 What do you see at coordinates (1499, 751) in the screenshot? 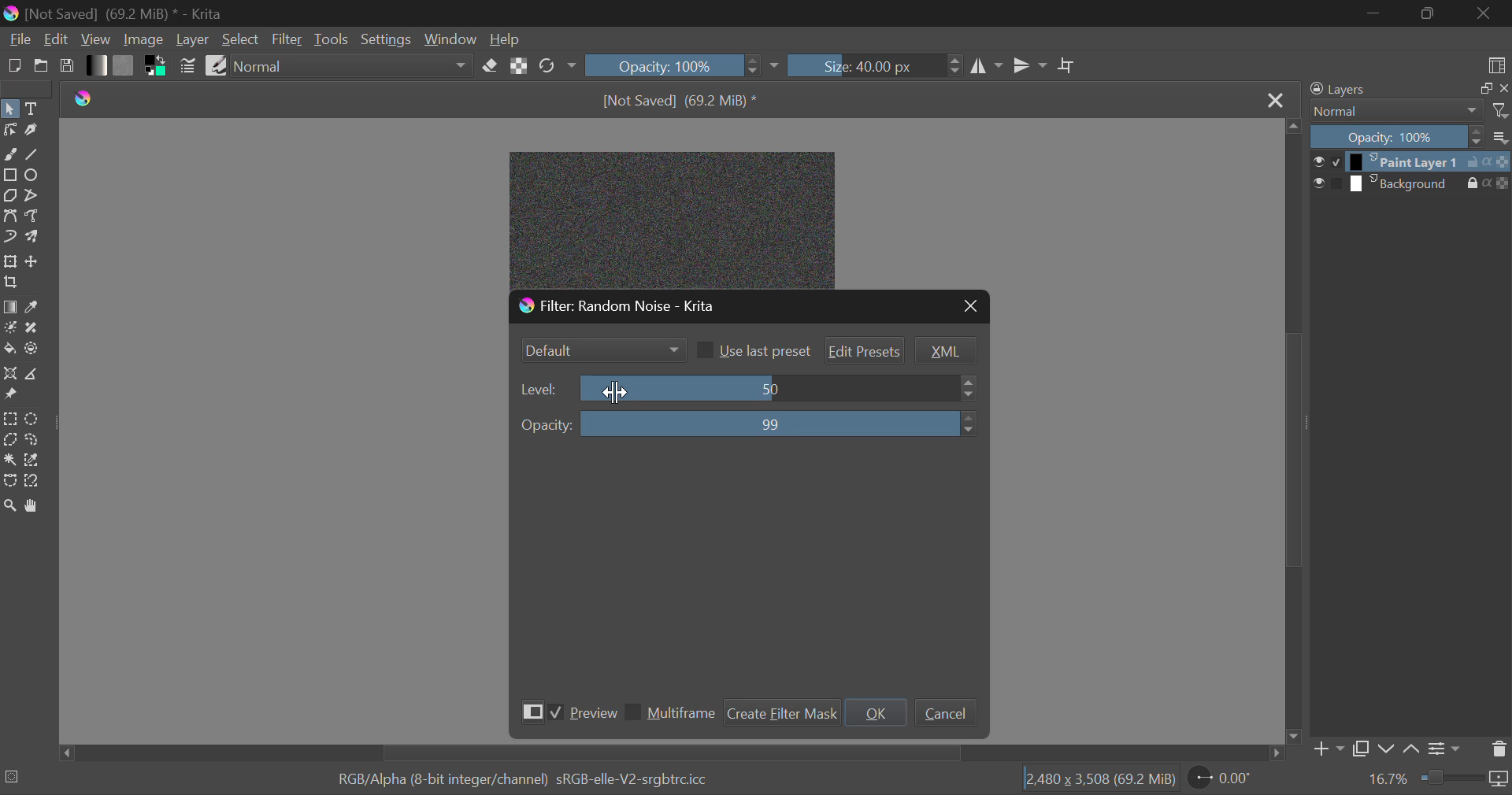
I see `Delete Layer` at bounding box center [1499, 751].